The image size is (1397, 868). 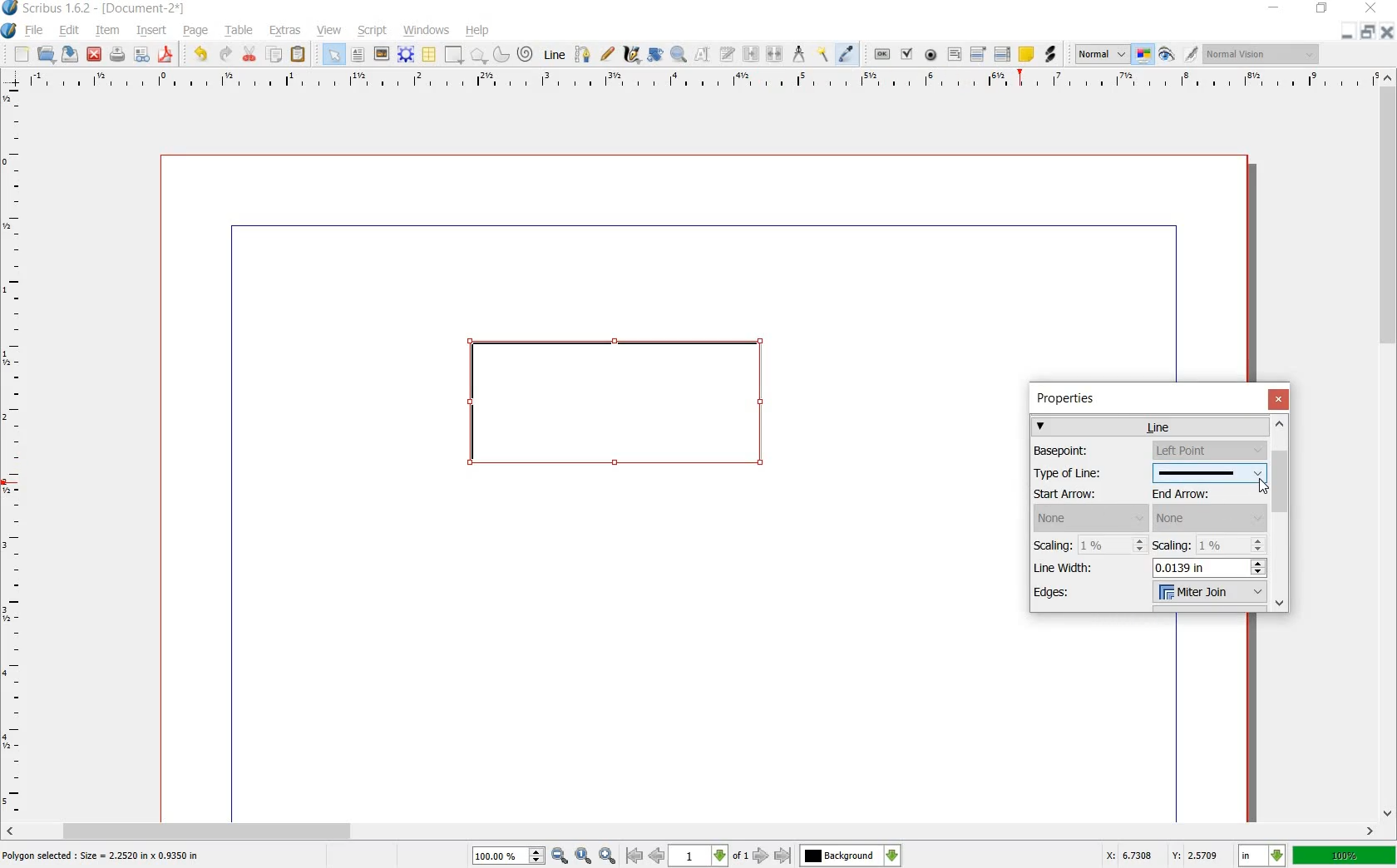 What do you see at coordinates (479, 57) in the screenshot?
I see `POLYGON` at bounding box center [479, 57].